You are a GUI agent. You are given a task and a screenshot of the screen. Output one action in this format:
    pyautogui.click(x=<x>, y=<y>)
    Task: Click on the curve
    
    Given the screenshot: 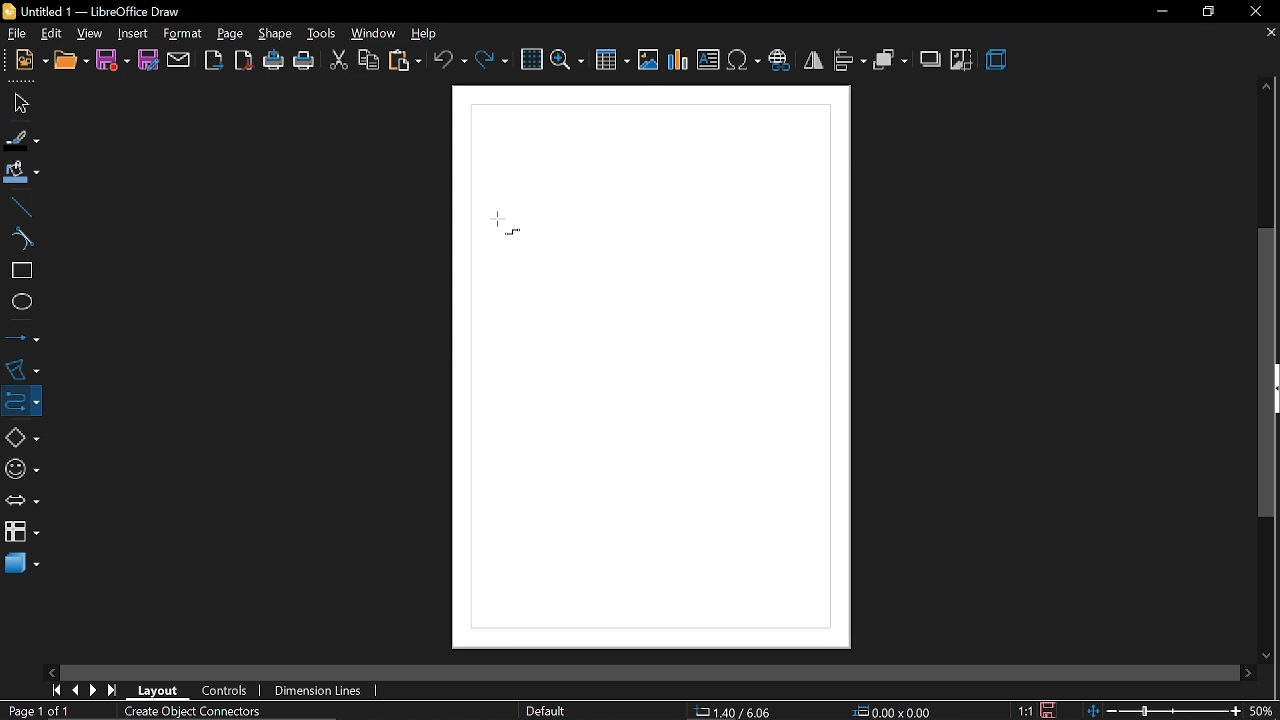 What is the action you would take?
    pyautogui.click(x=20, y=239)
    